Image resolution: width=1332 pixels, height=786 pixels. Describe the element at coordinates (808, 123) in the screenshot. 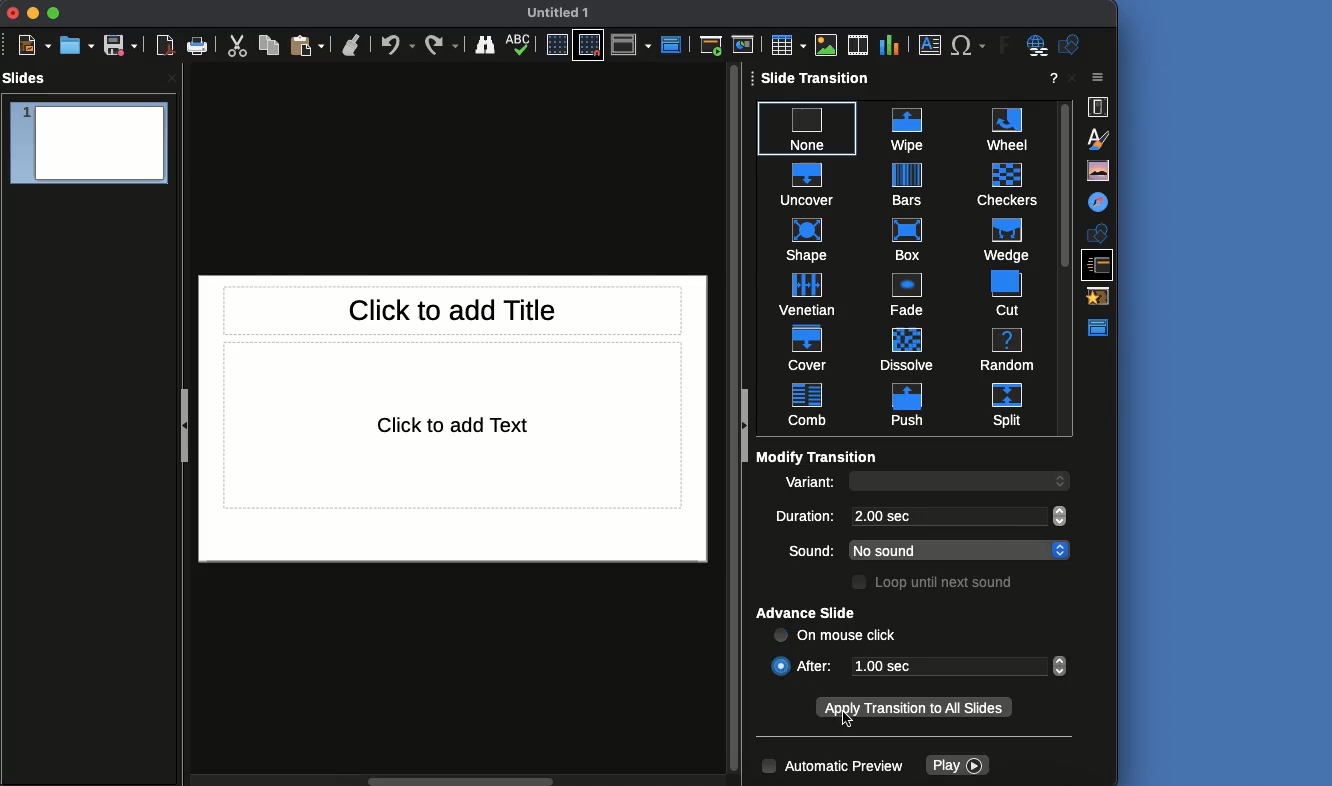

I see `none` at that location.